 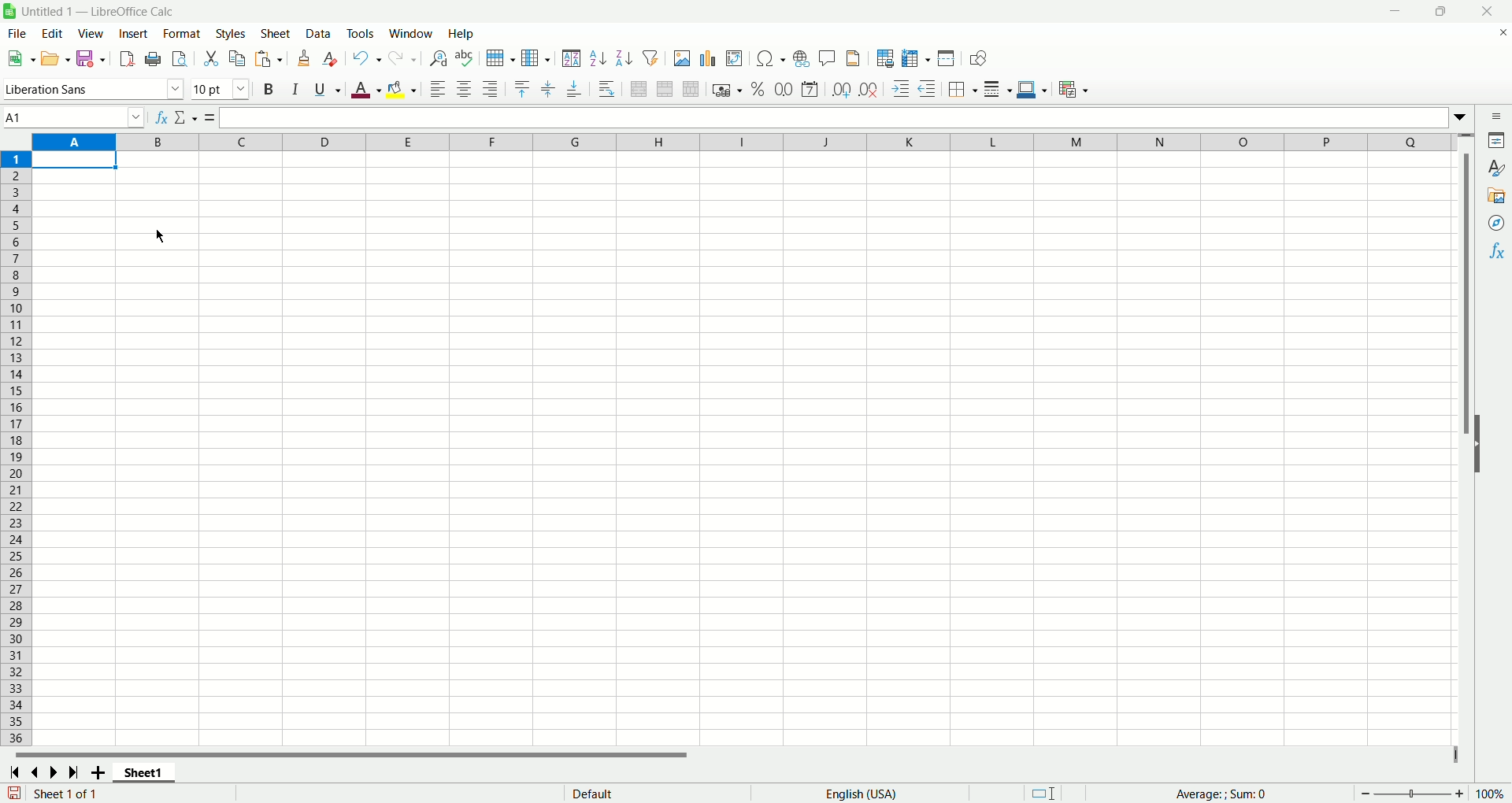 What do you see at coordinates (841, 90) in the screenshot?
I see `add decimal place` at bounding box center [841, 90].